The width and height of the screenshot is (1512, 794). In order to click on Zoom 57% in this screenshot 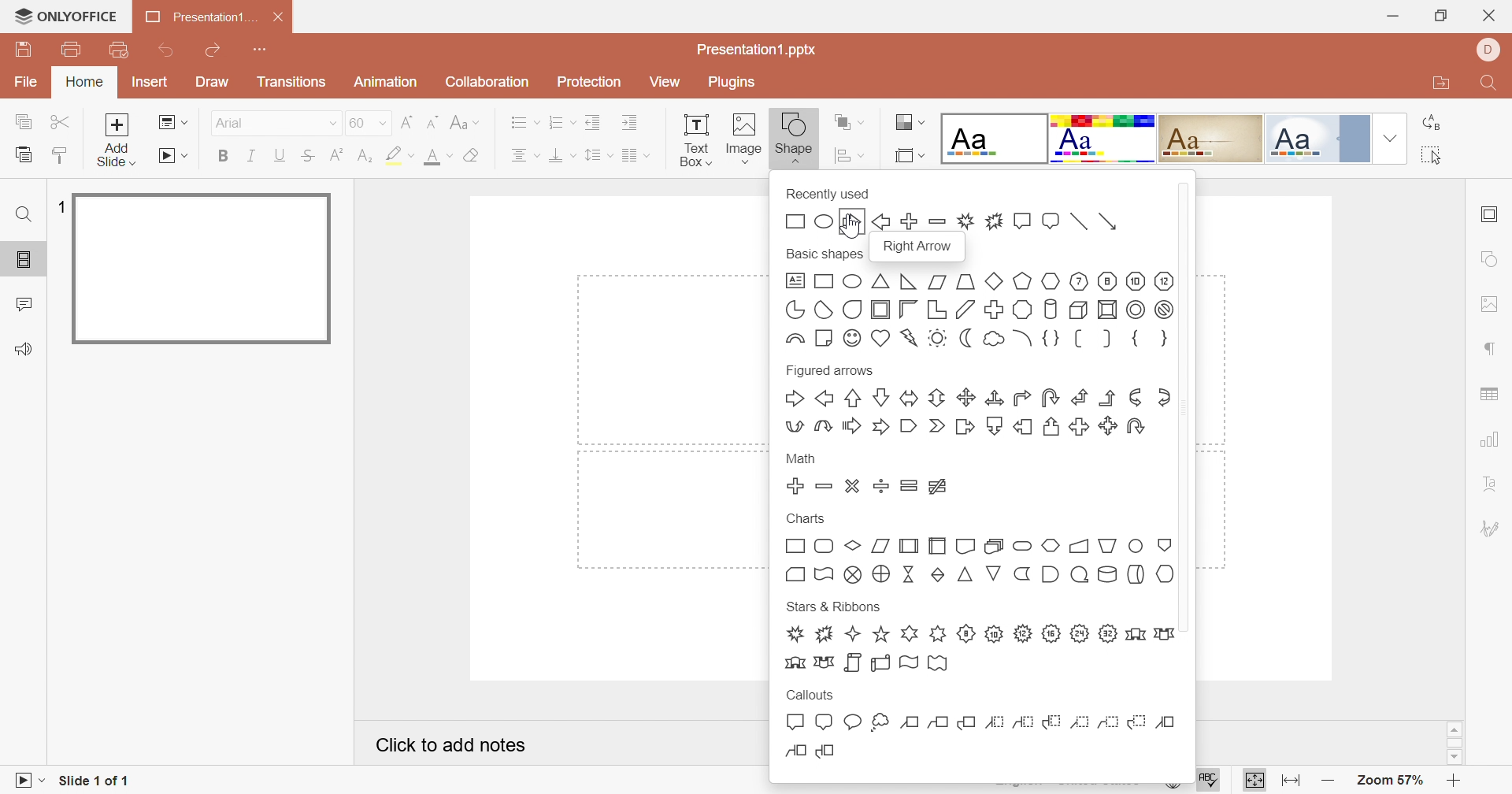, I will do `click(1392, 781)`.